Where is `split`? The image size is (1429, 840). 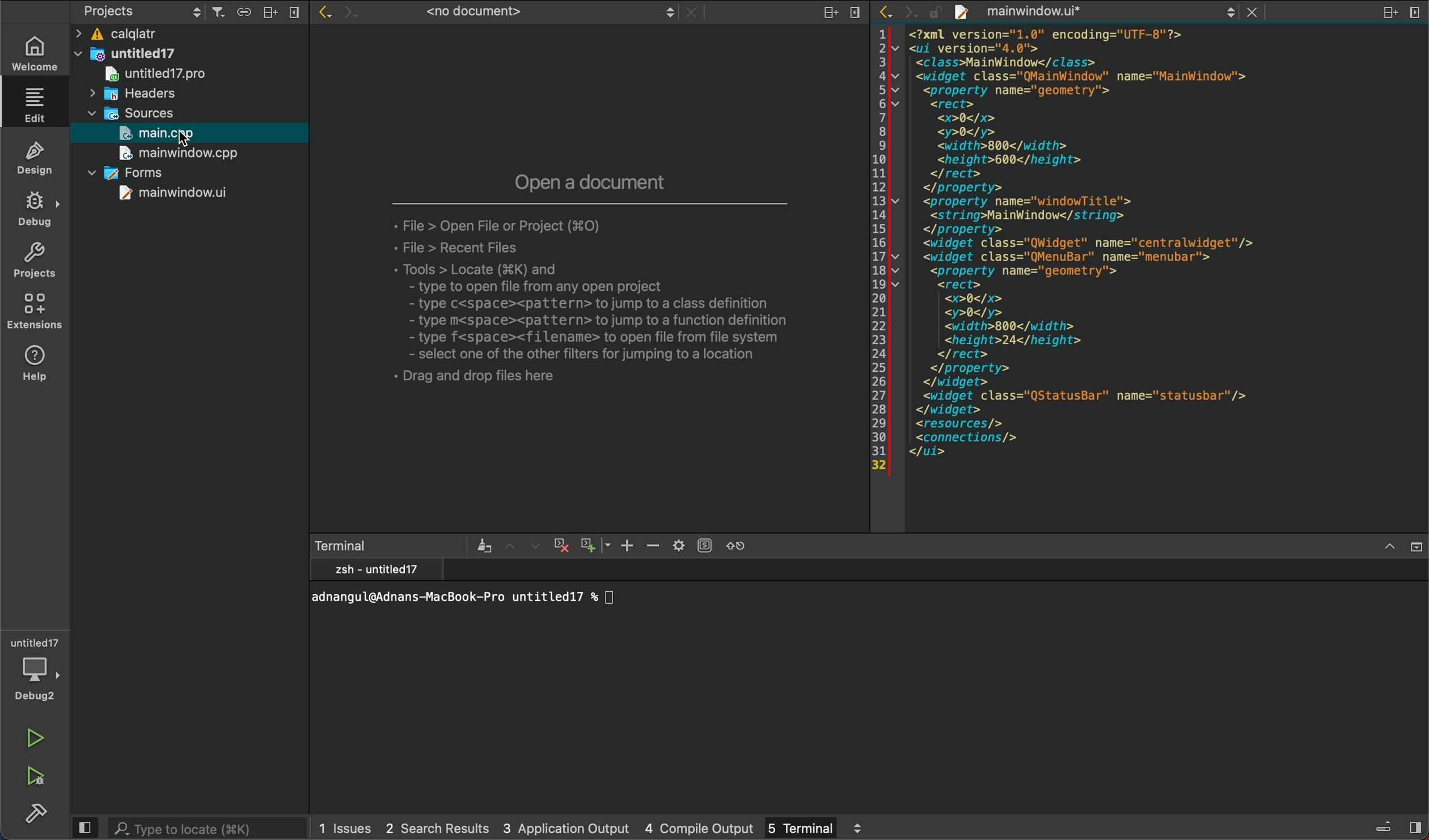
split is located at coordinates (832, 14).